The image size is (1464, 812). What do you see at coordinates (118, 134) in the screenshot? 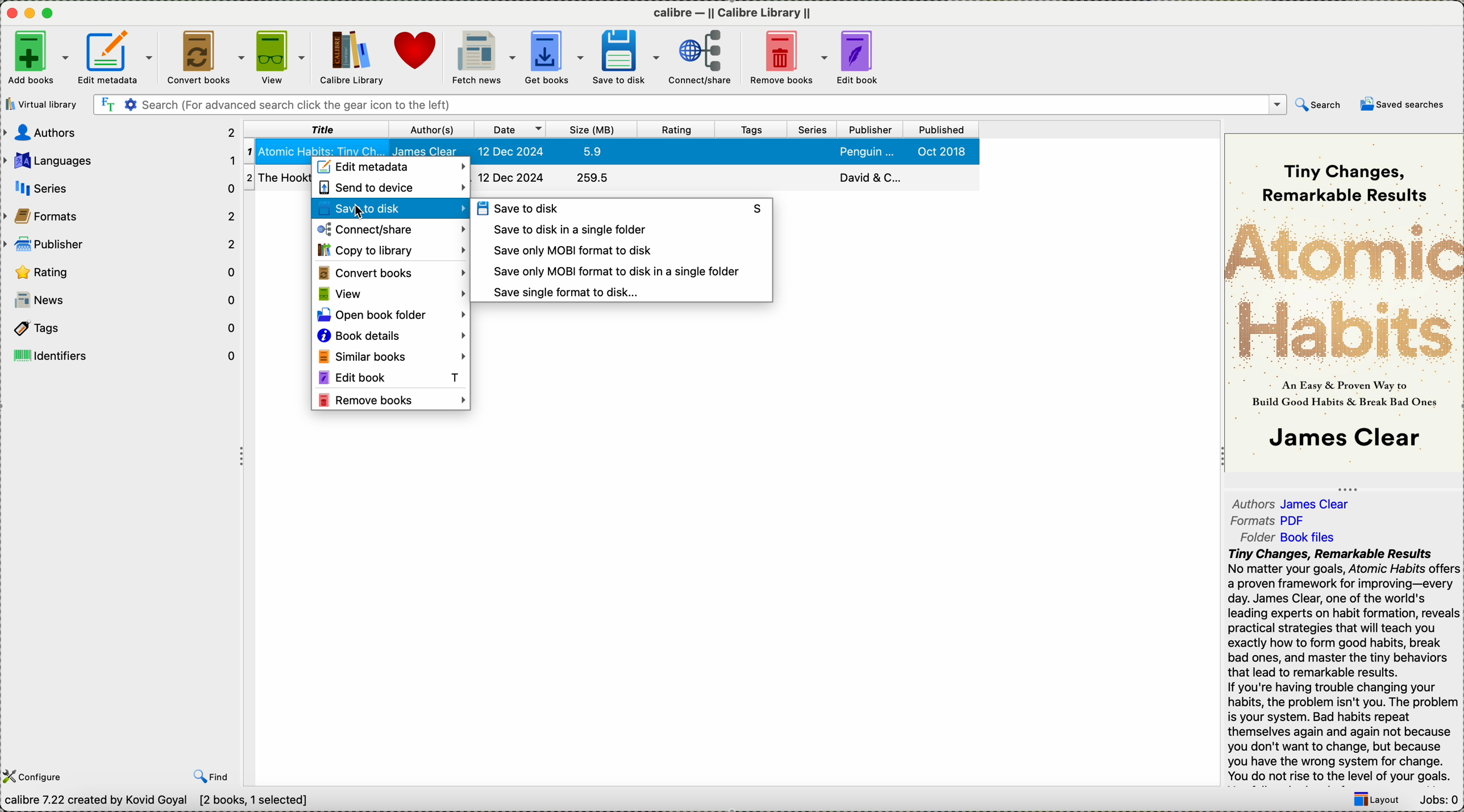
I see `authors` at bounding box center [118, 134].